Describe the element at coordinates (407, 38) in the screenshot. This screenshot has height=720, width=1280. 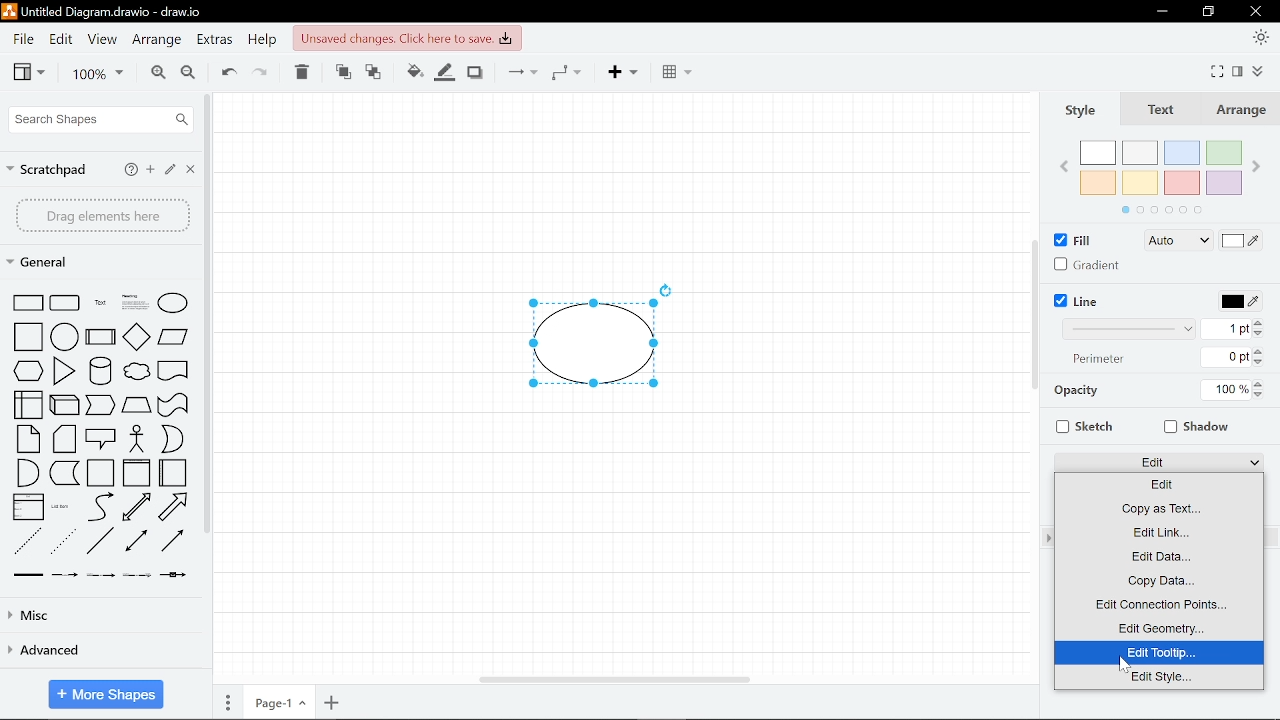
I see `unsaved changes click here to save` at that location.